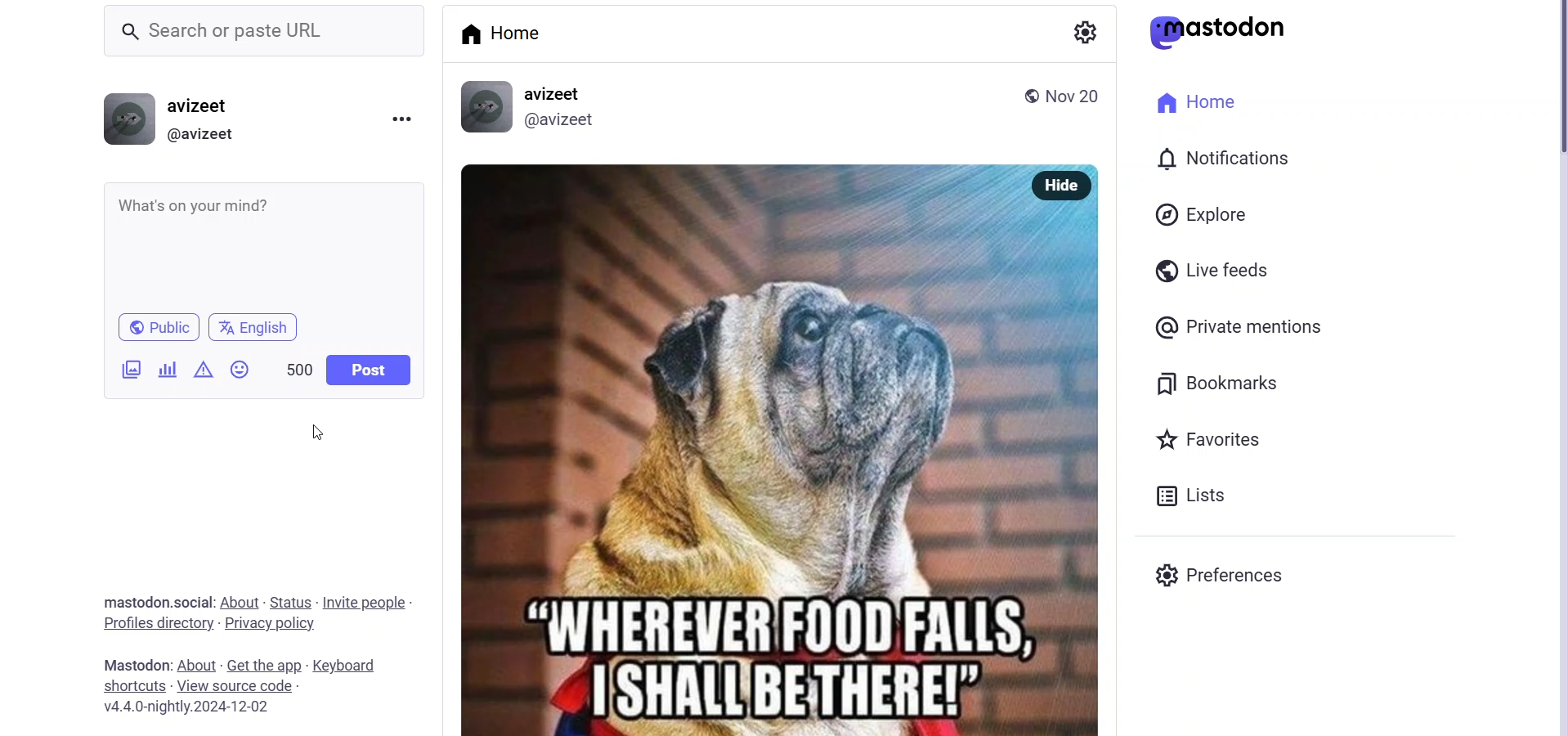 Image resolution: width=1568 pixels, height=736 pixels. Describe the element at coordinates (242, 369) in the screenshot. I see `emojis` at that location.